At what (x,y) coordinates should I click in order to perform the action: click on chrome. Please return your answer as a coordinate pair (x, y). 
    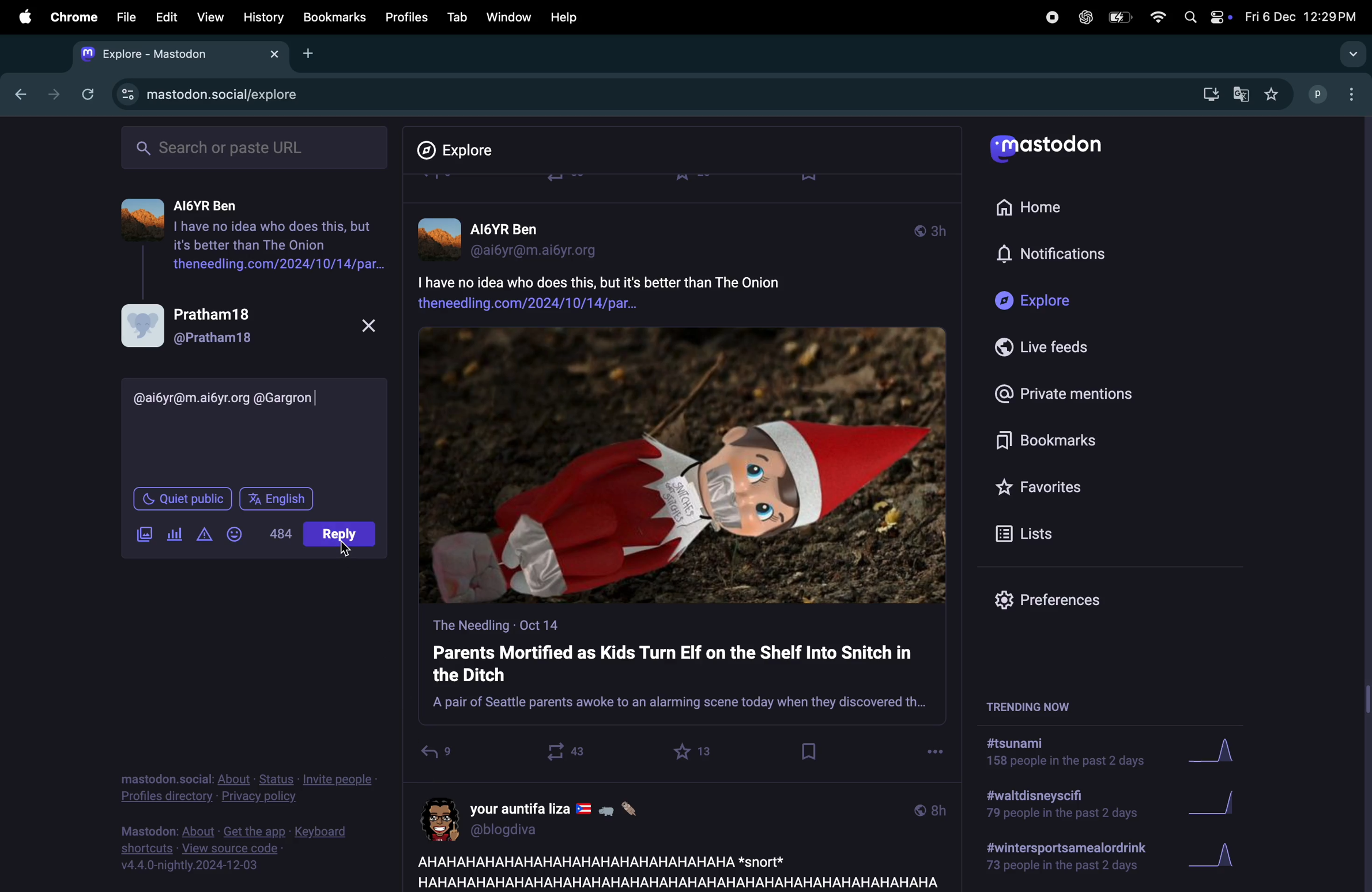
    Looking at the image, I should click on (71, 17).